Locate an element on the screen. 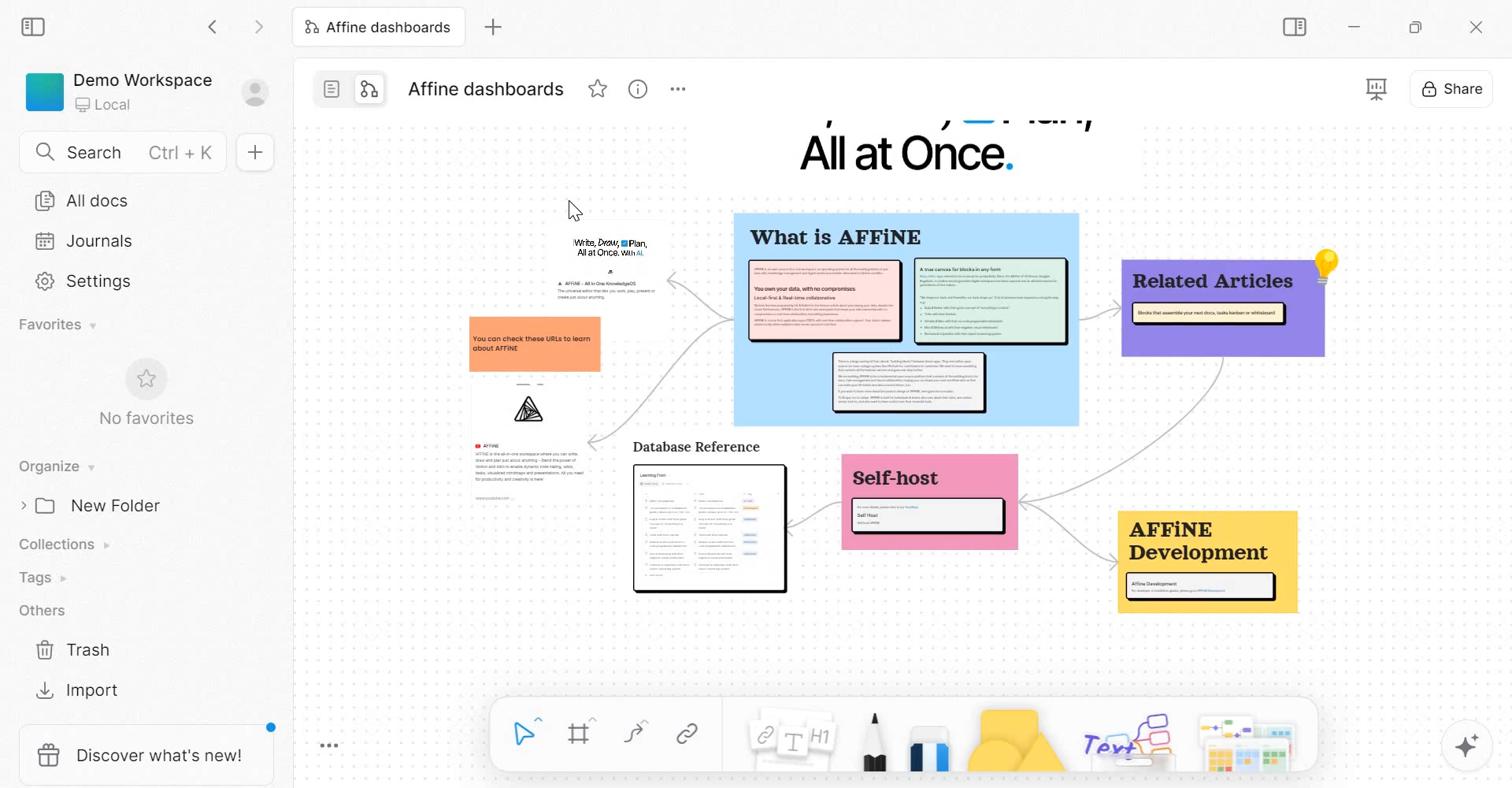 The width and height of the screenshot is (1512, 788). Affine dashboards is located at coordinates (377, 28).